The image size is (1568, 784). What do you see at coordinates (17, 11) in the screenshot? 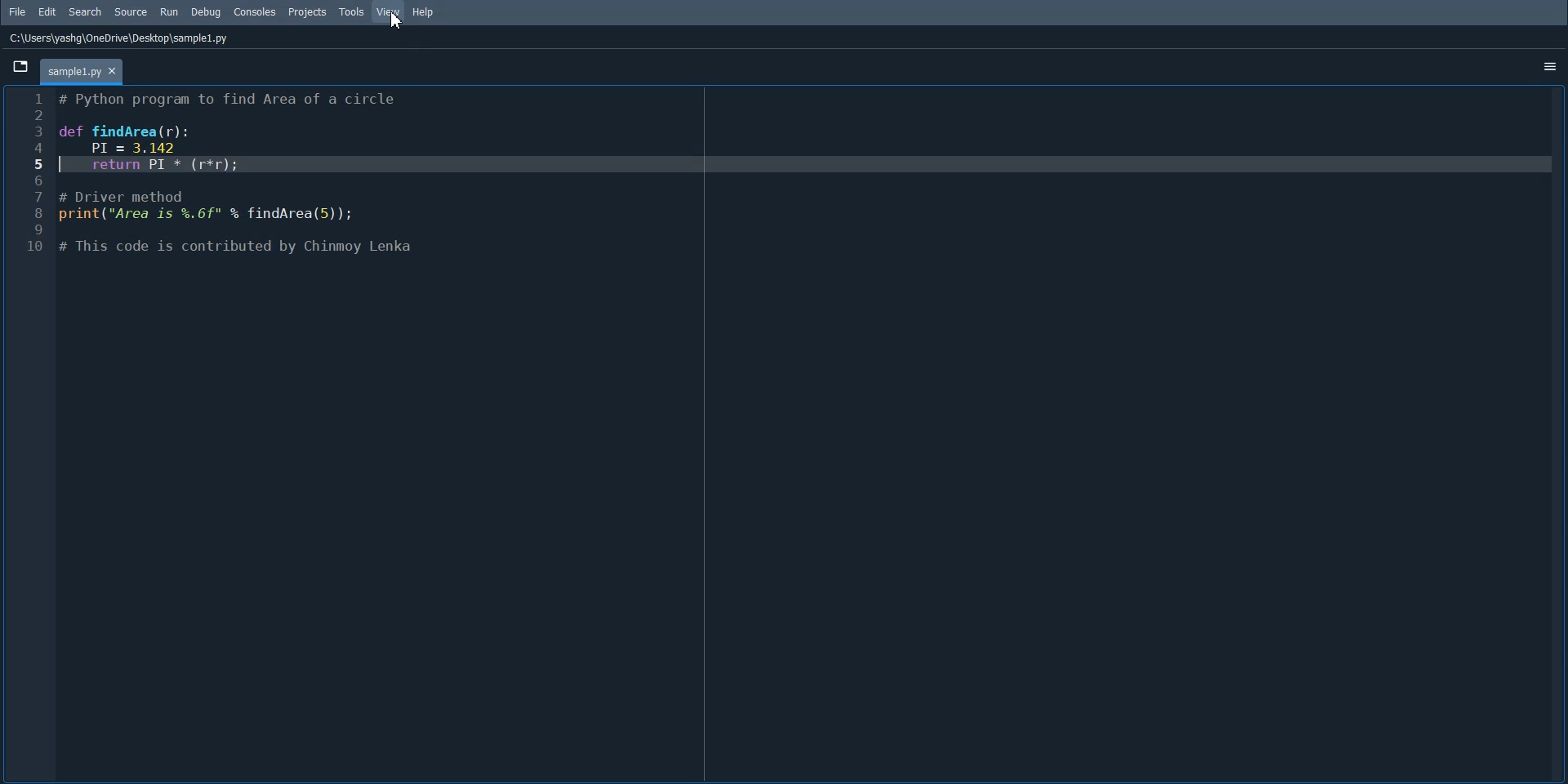
I see `File` at bounding box center [17, 11].